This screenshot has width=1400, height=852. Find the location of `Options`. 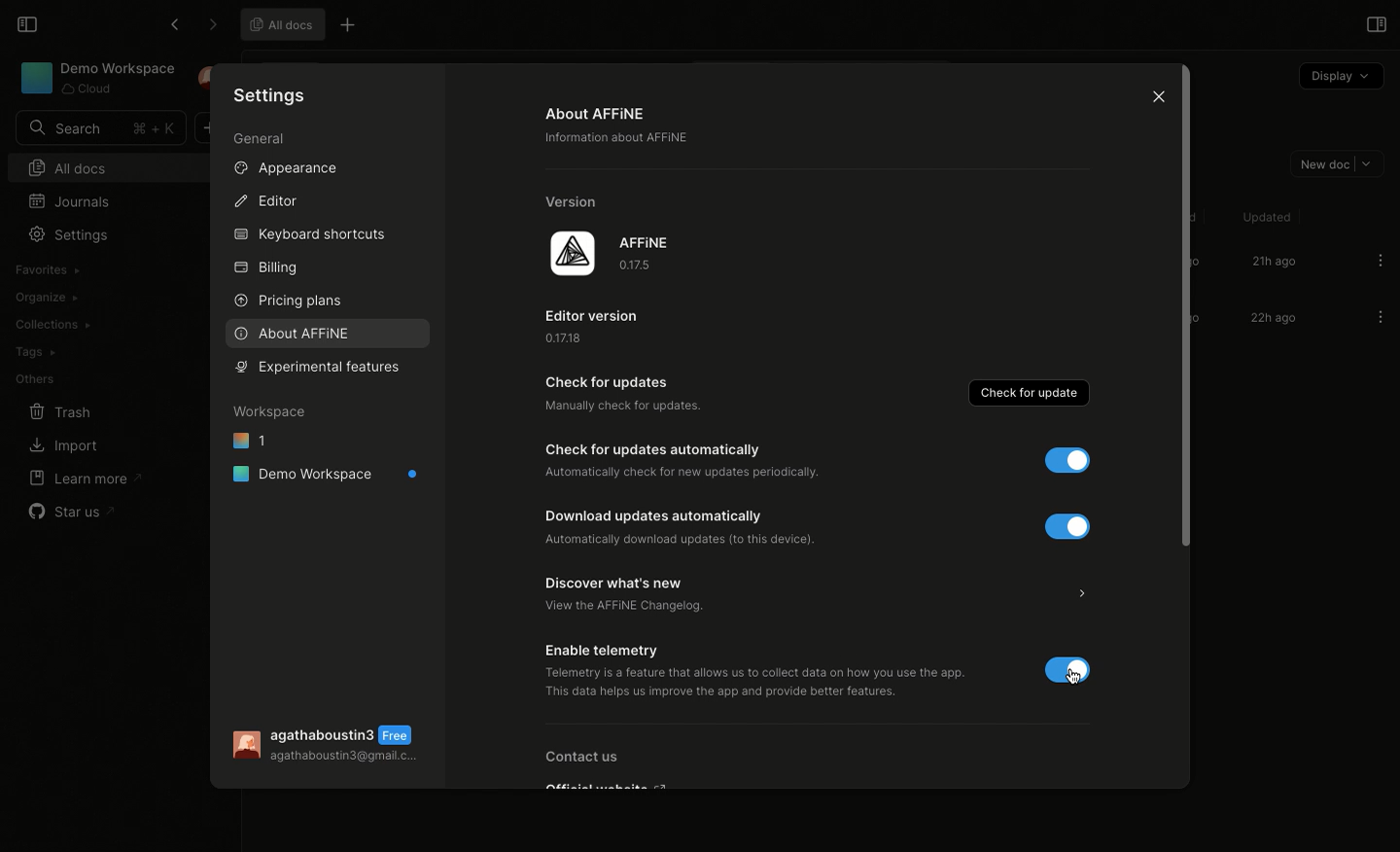

Options is located at coordinates (1381, 260).